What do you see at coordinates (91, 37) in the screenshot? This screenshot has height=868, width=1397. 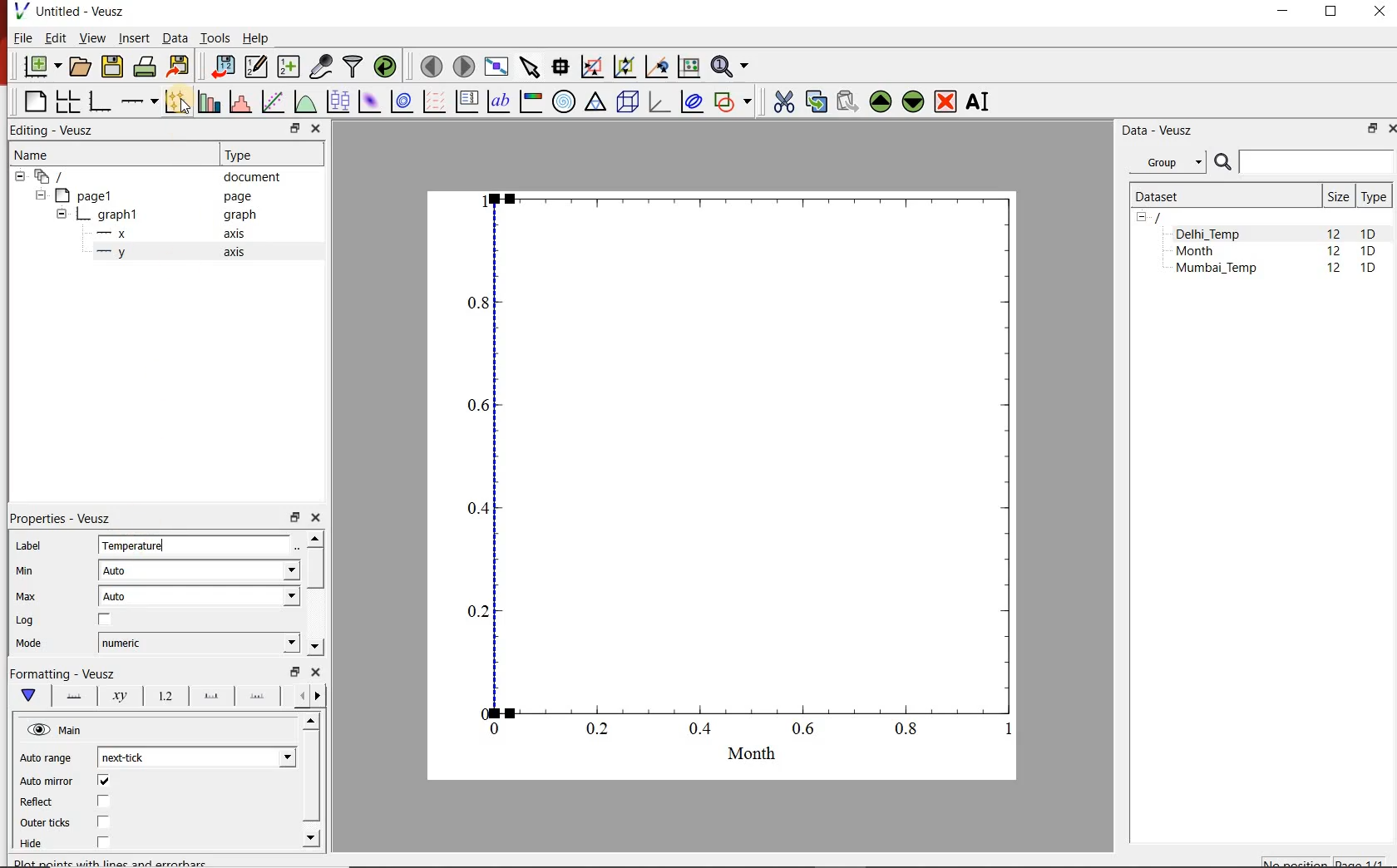 I see `View` at bounding box center [91, 37].